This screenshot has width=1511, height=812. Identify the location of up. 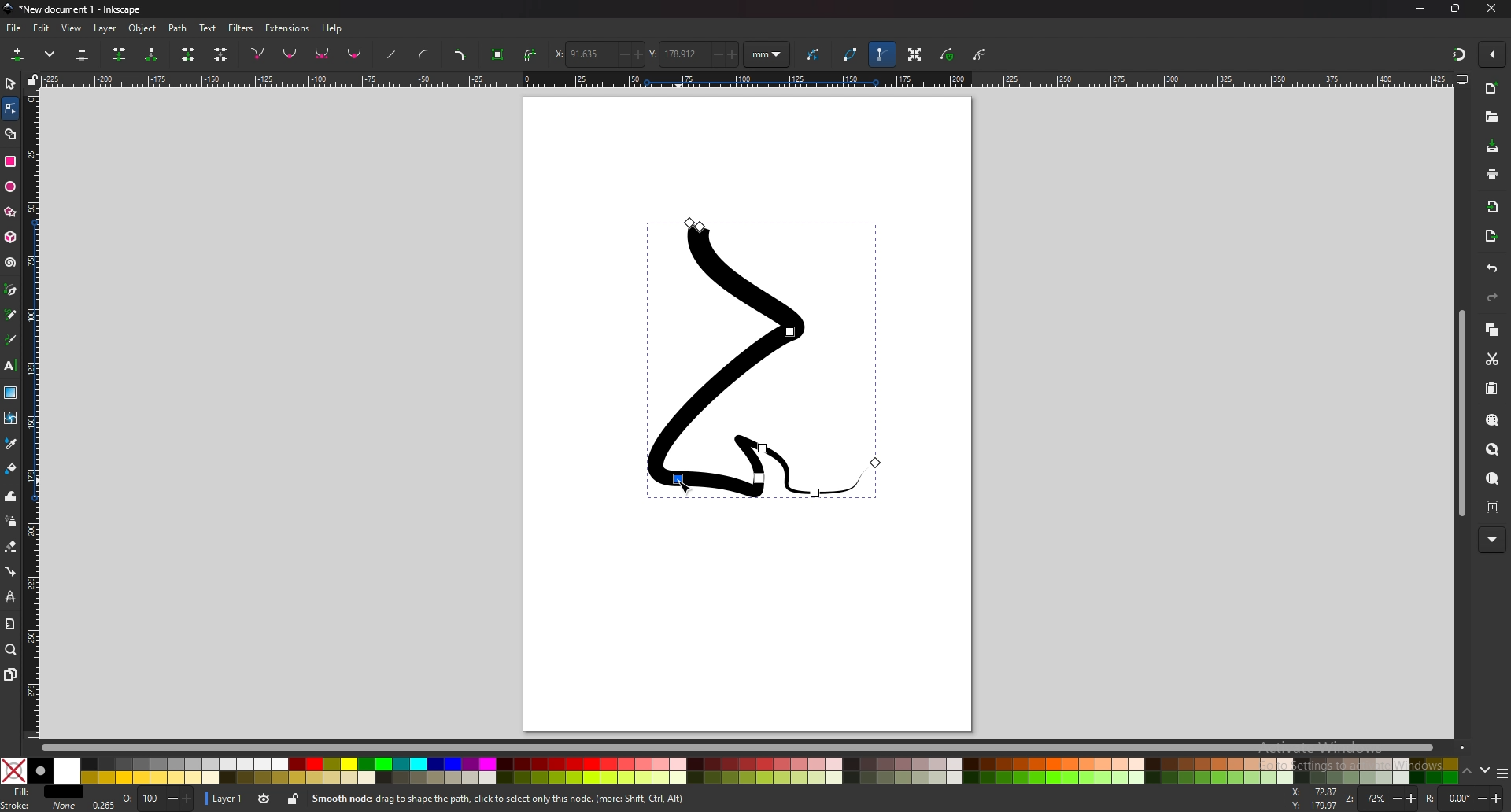
(1467, 772).